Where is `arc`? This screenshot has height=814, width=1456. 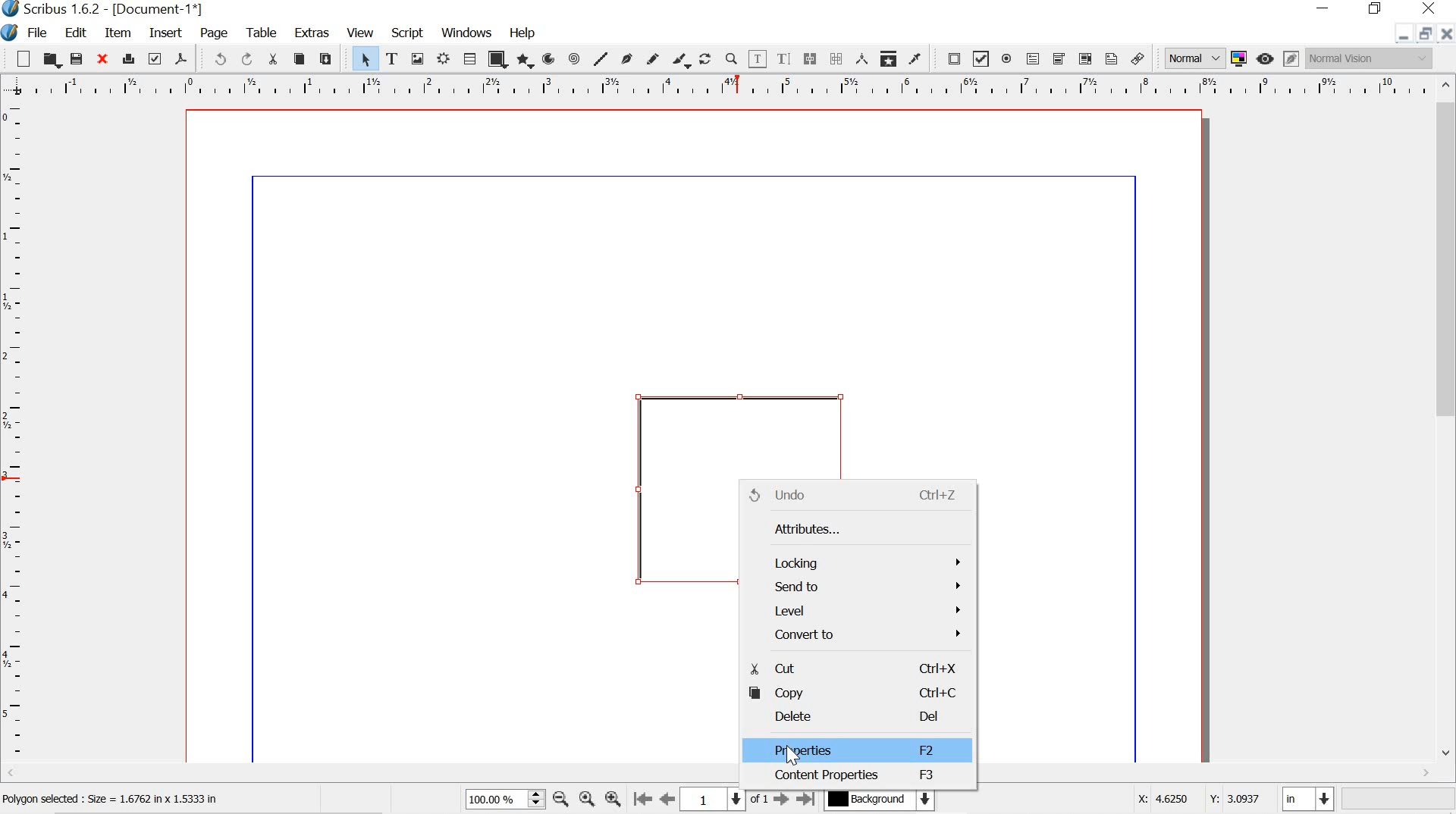 arc is located at coordinates (548, 59).